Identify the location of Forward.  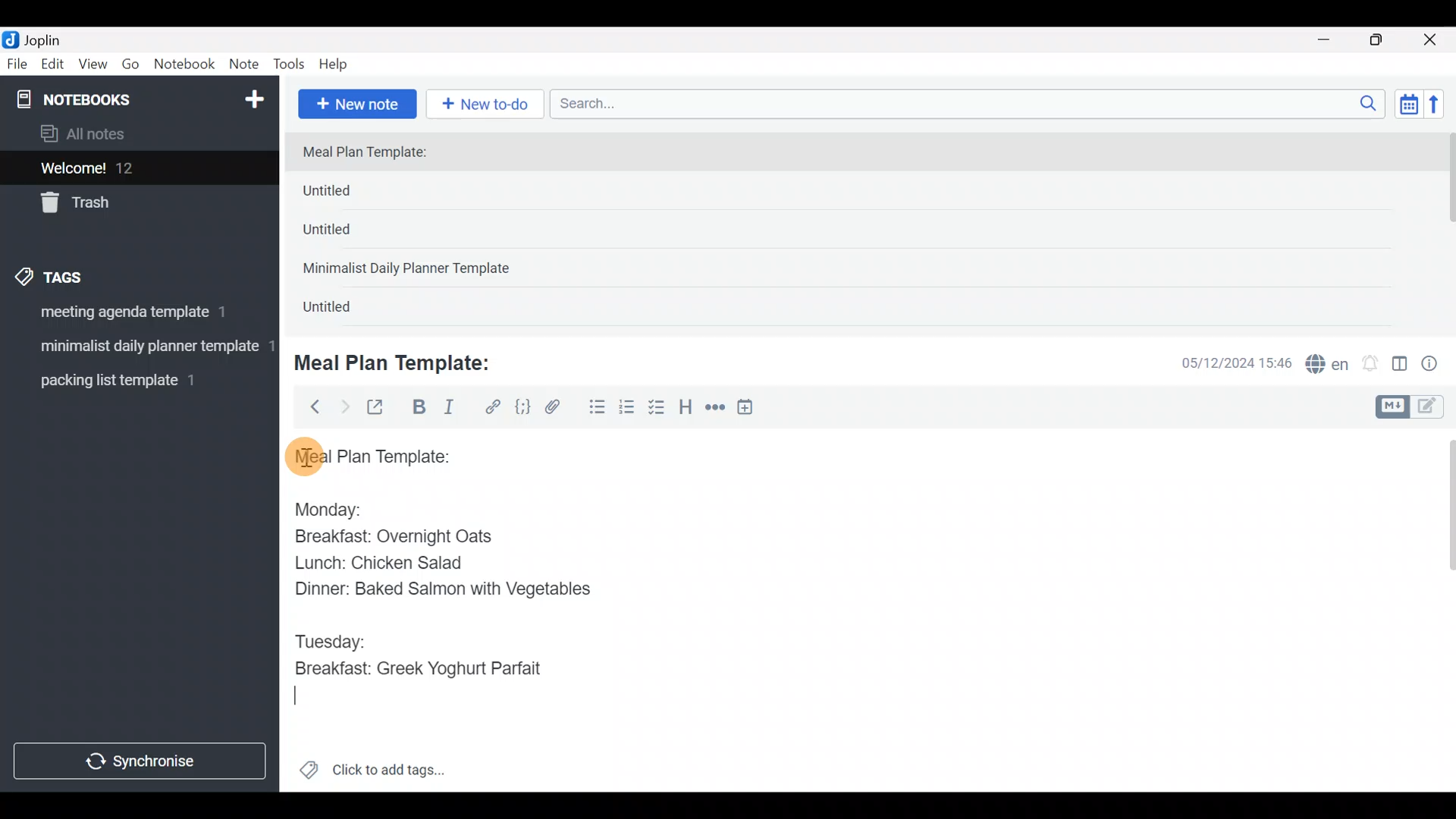
(344, 406).